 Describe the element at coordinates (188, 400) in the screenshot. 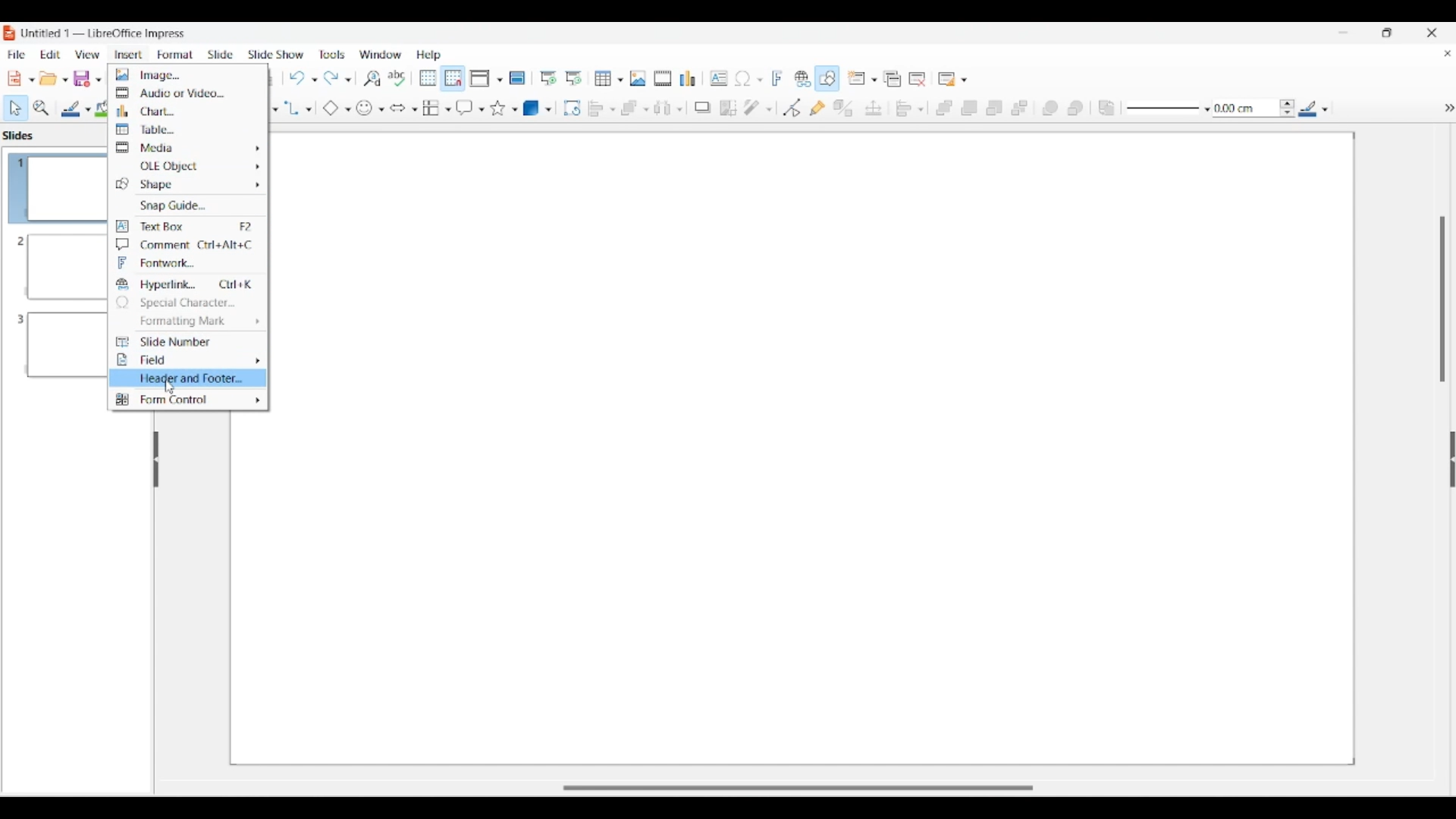

I see `Form control options` at that location.